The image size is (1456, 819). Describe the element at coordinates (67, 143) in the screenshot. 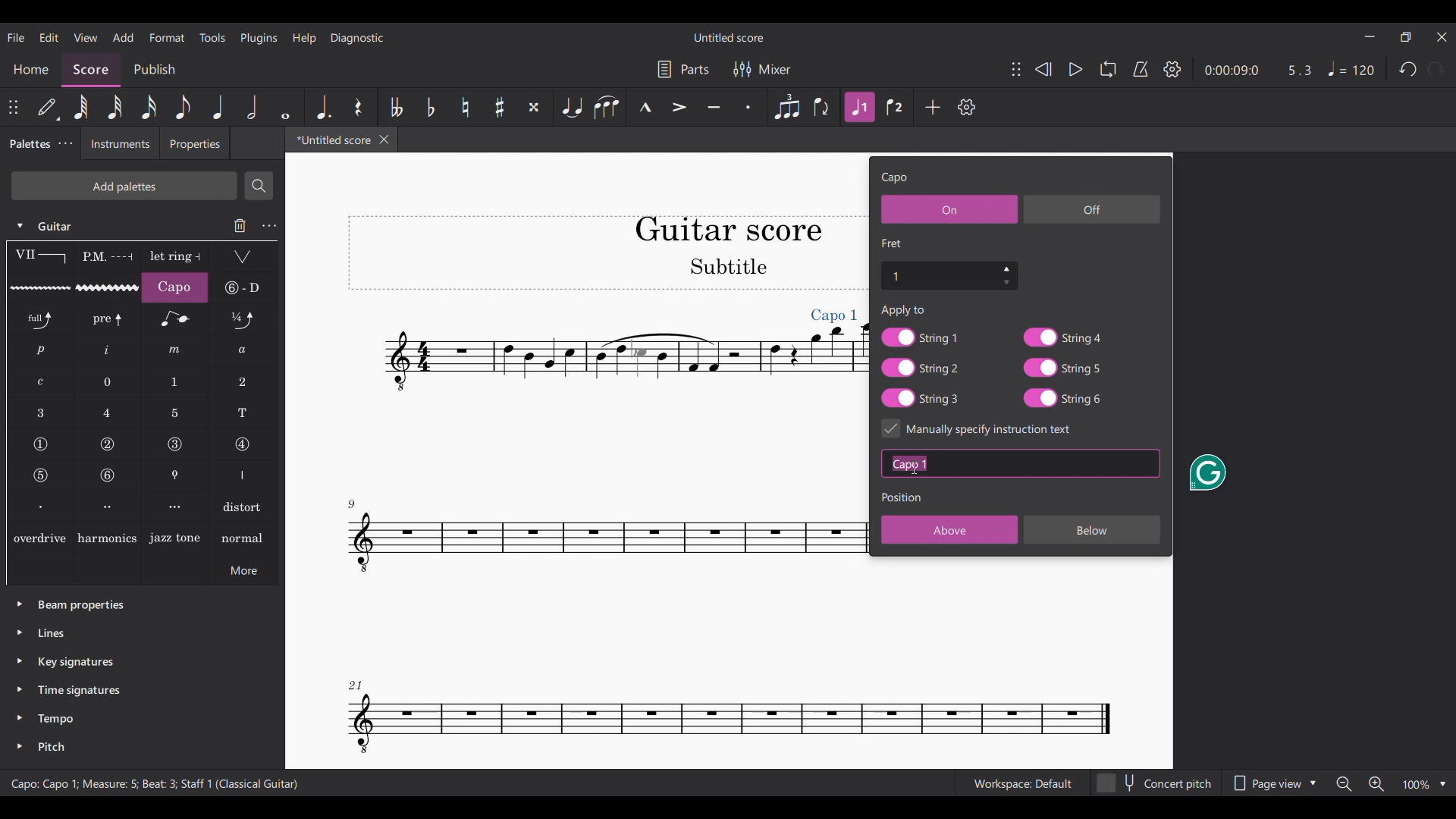

I see `Palette tab settings` at that location.